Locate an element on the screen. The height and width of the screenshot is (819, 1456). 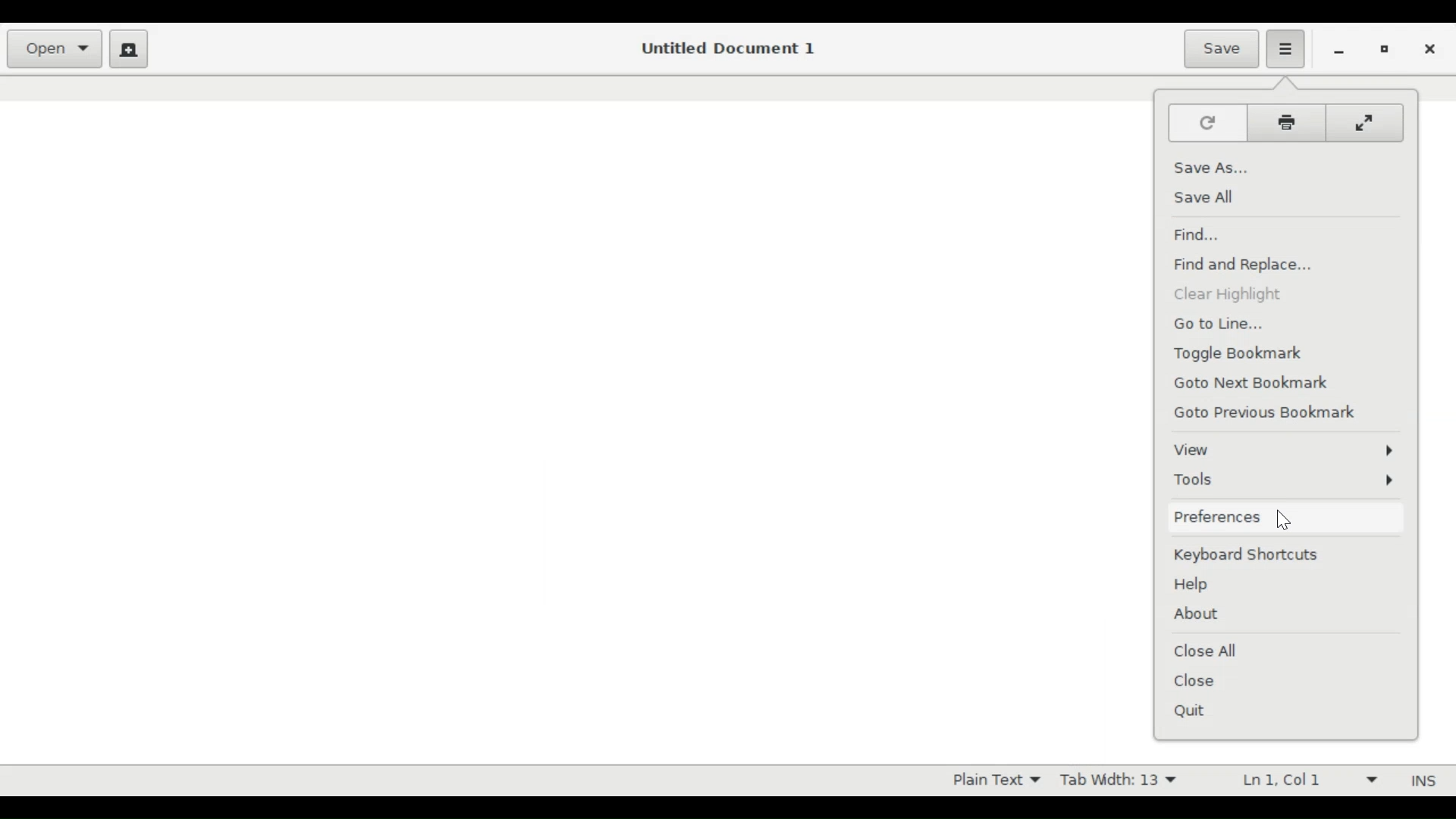
Plain Text is located at coordinates (993, 779).